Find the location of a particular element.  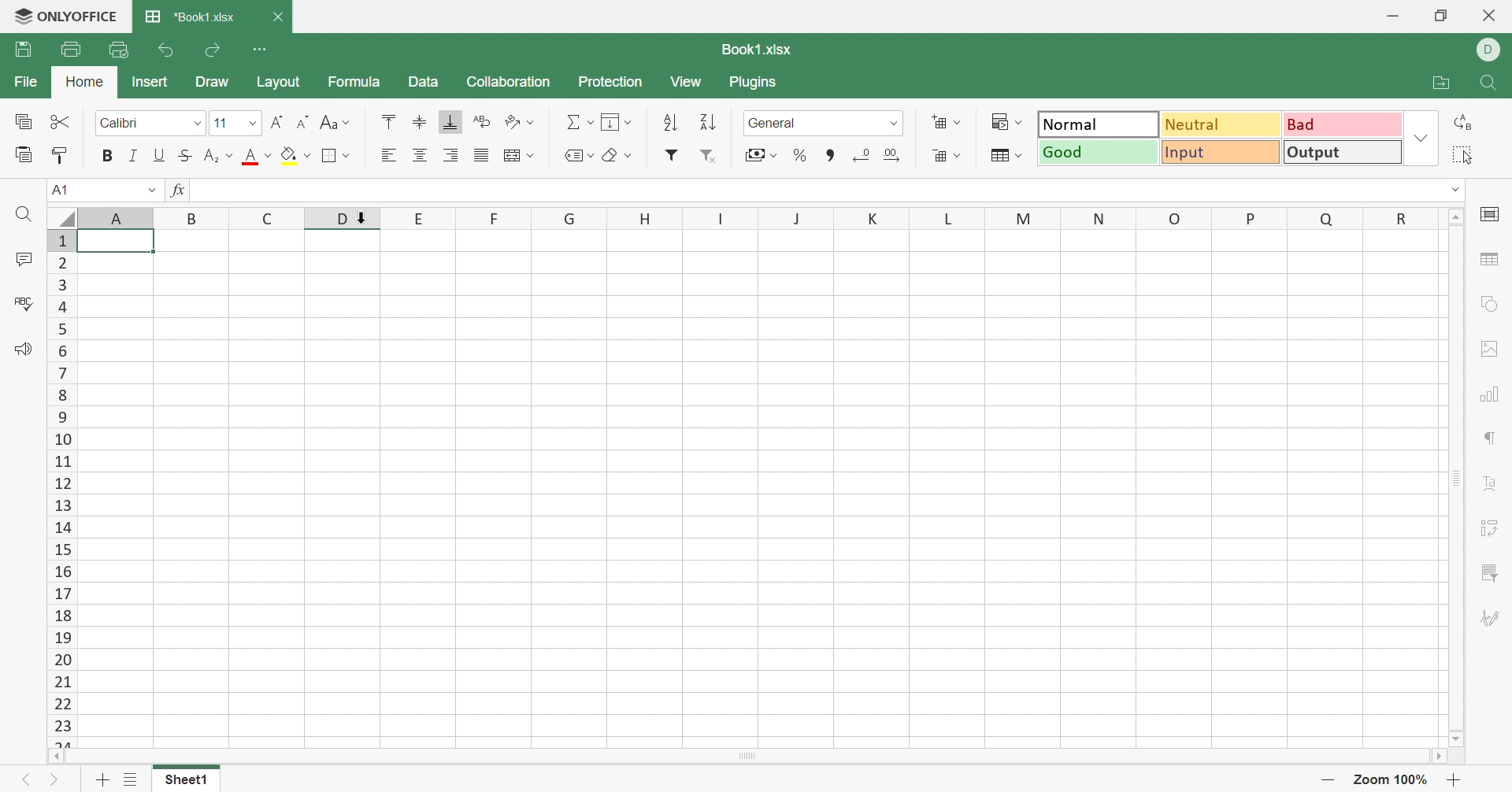

Scroll Left is located at coordinates (55, 756).